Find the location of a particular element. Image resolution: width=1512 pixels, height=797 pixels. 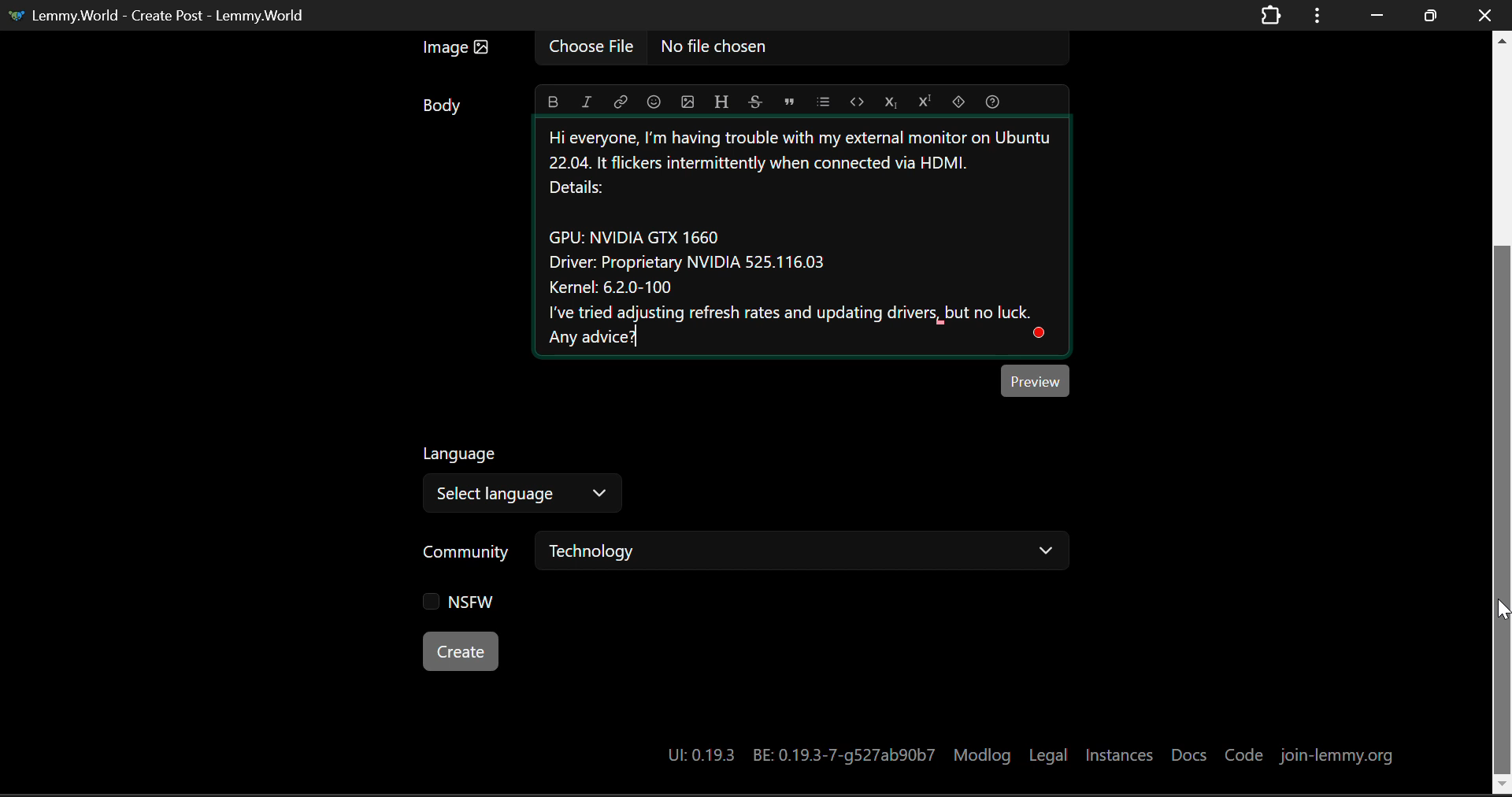

List is located at coordinates (823, 99).